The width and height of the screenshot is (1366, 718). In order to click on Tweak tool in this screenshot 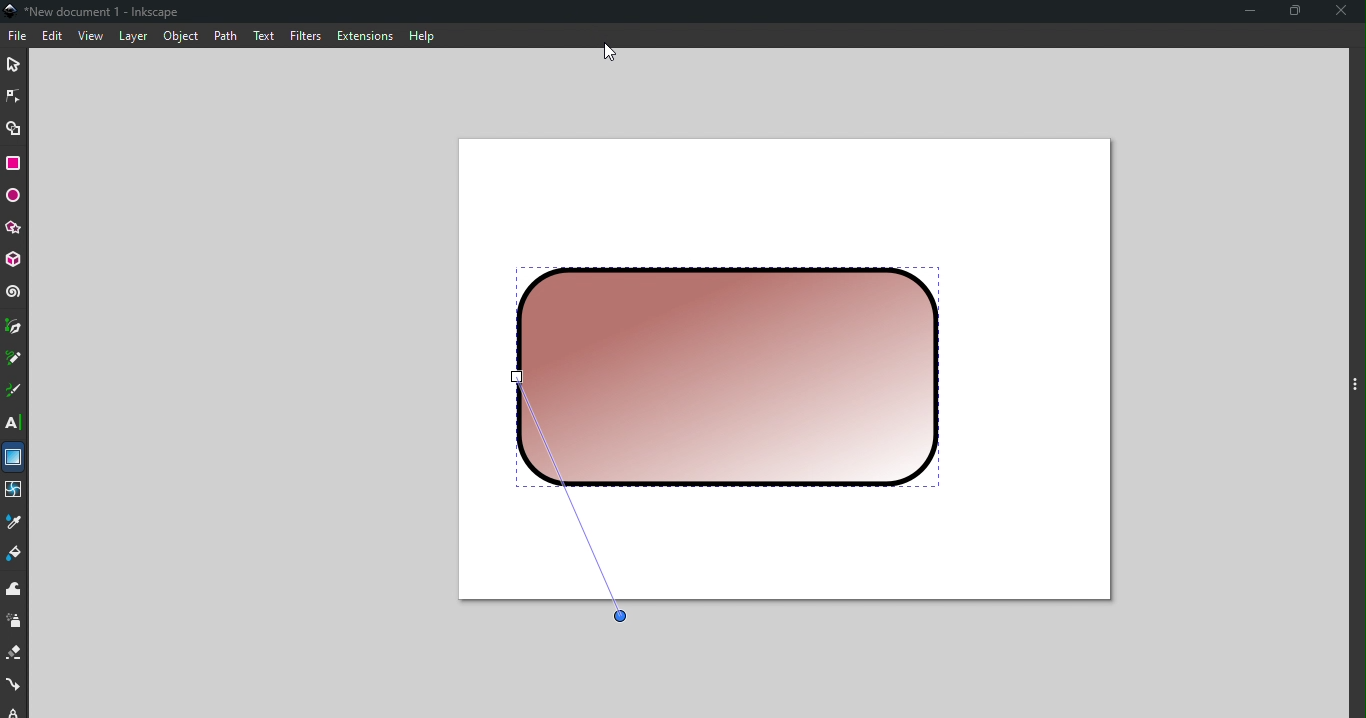, I will do `click(14, 590)`.